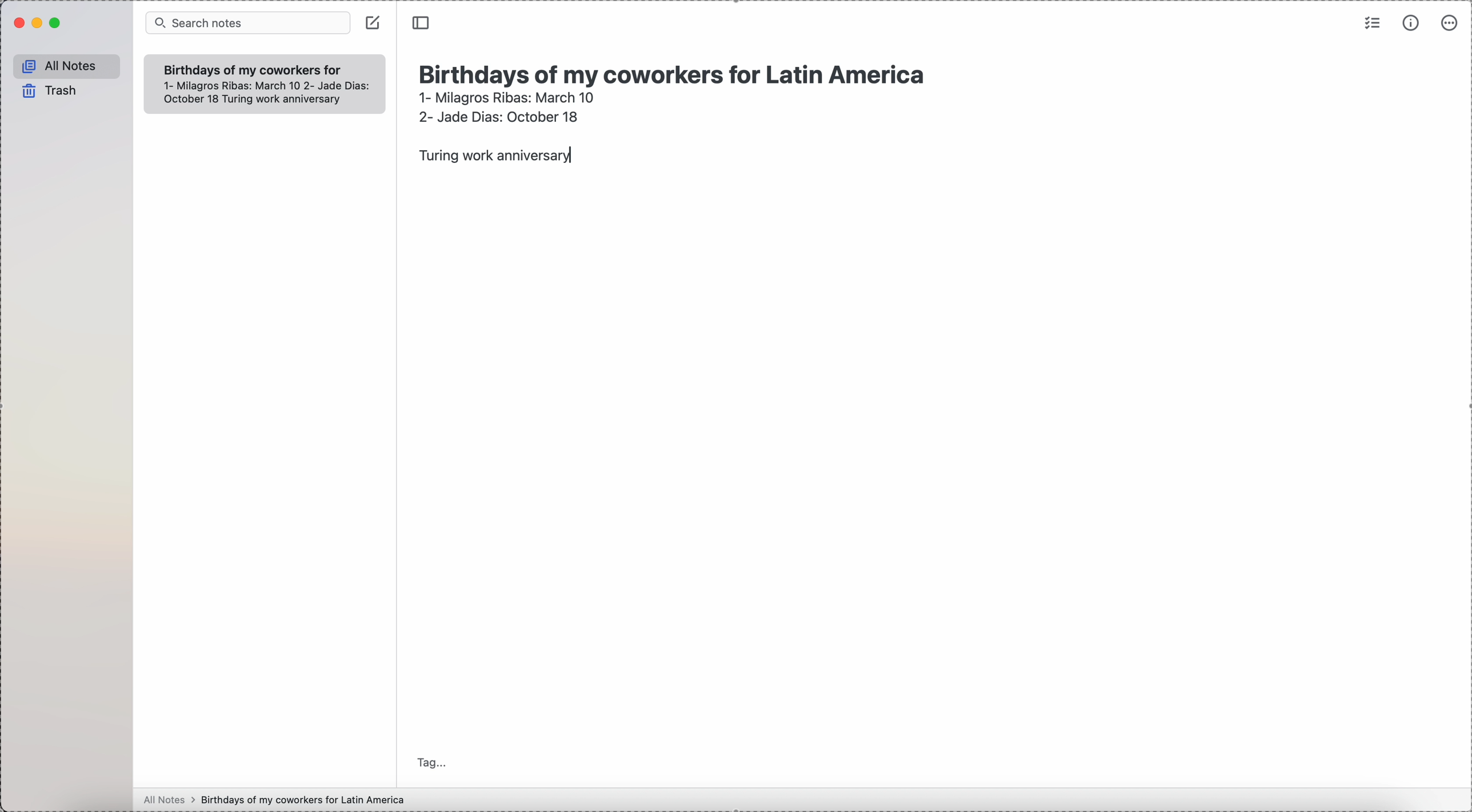  Describe the element at coordinates (1413, 22) in the screenshot. I see `metrics` at that location.